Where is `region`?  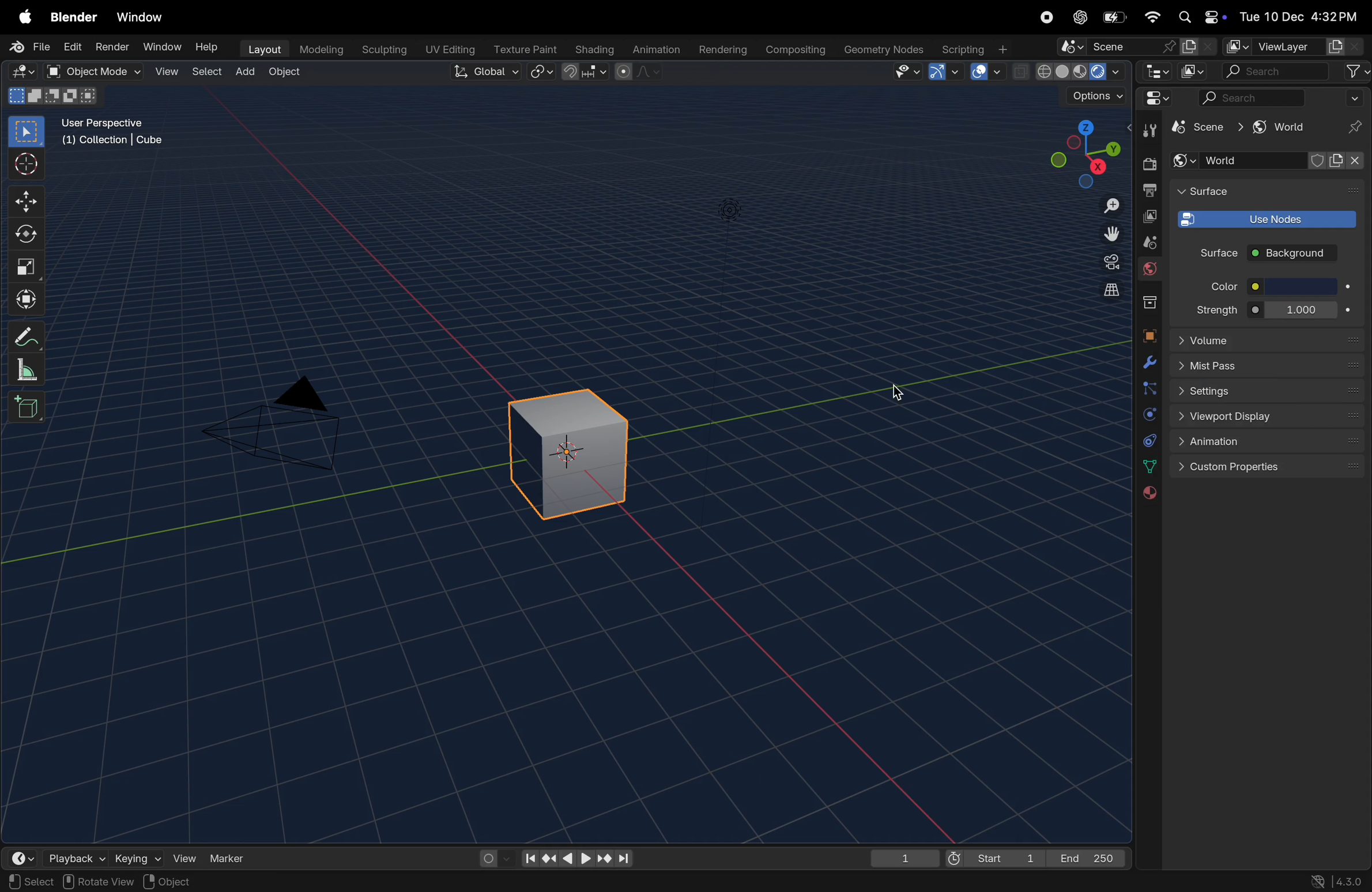 region is located at coordinates (183, 882).